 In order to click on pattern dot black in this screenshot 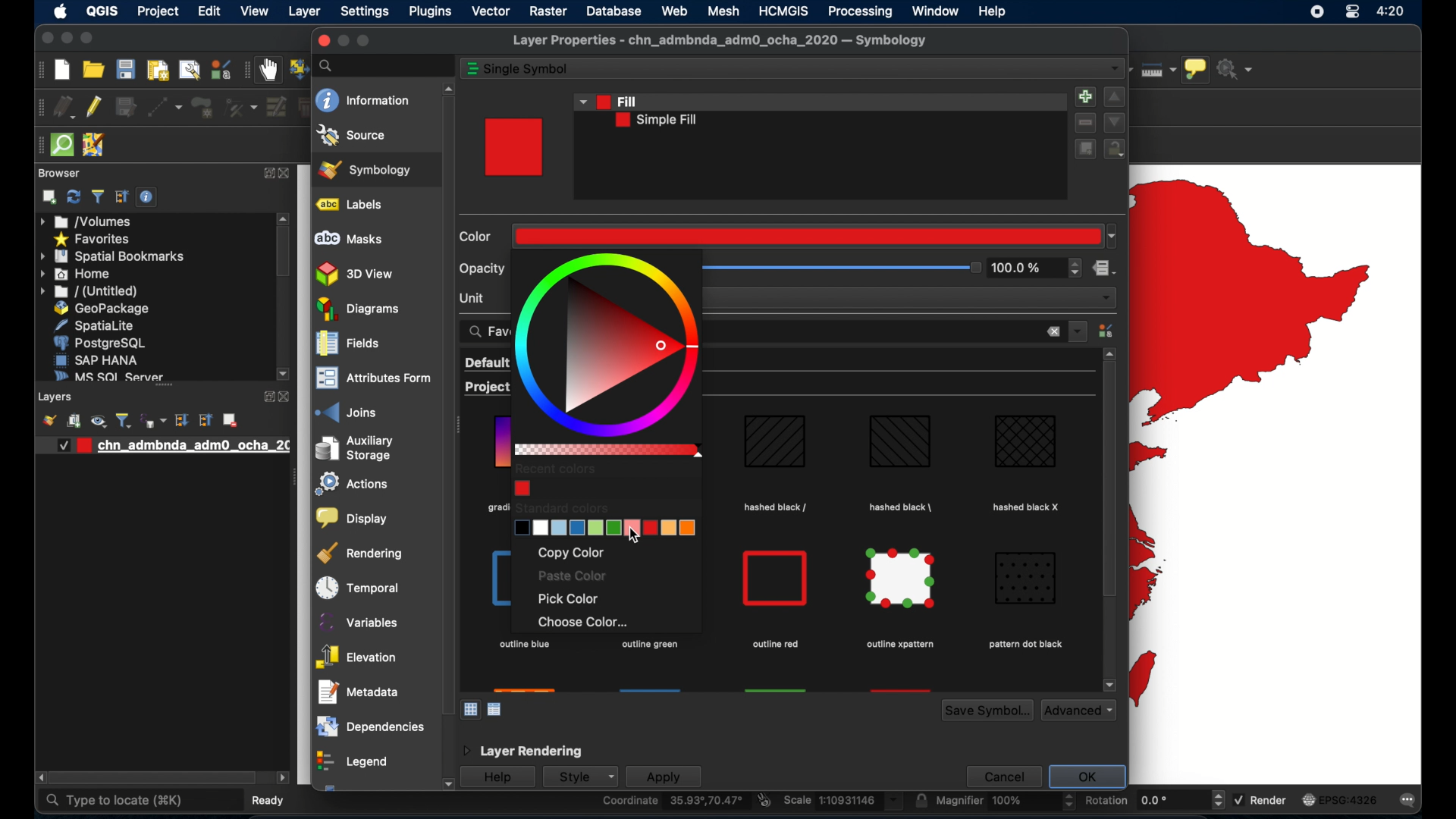, I will do `click(1025, 645)`.